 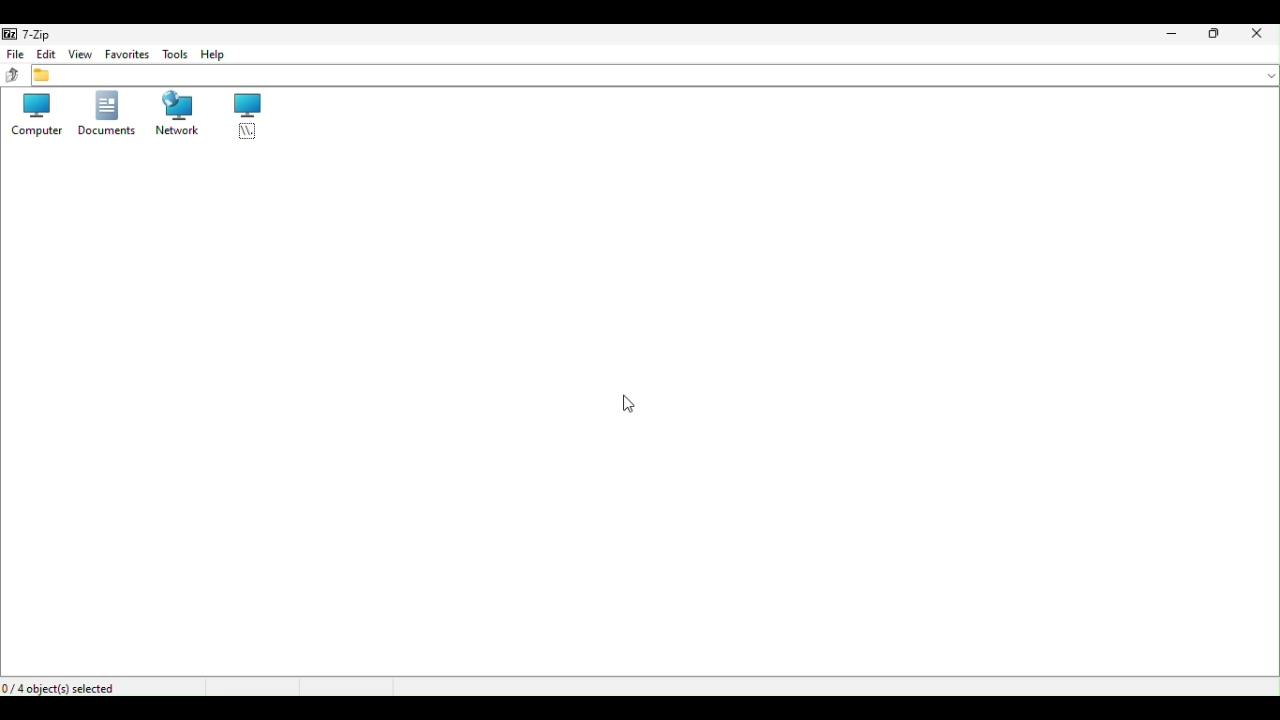 I want to click on up, so click(x=12, y=76).